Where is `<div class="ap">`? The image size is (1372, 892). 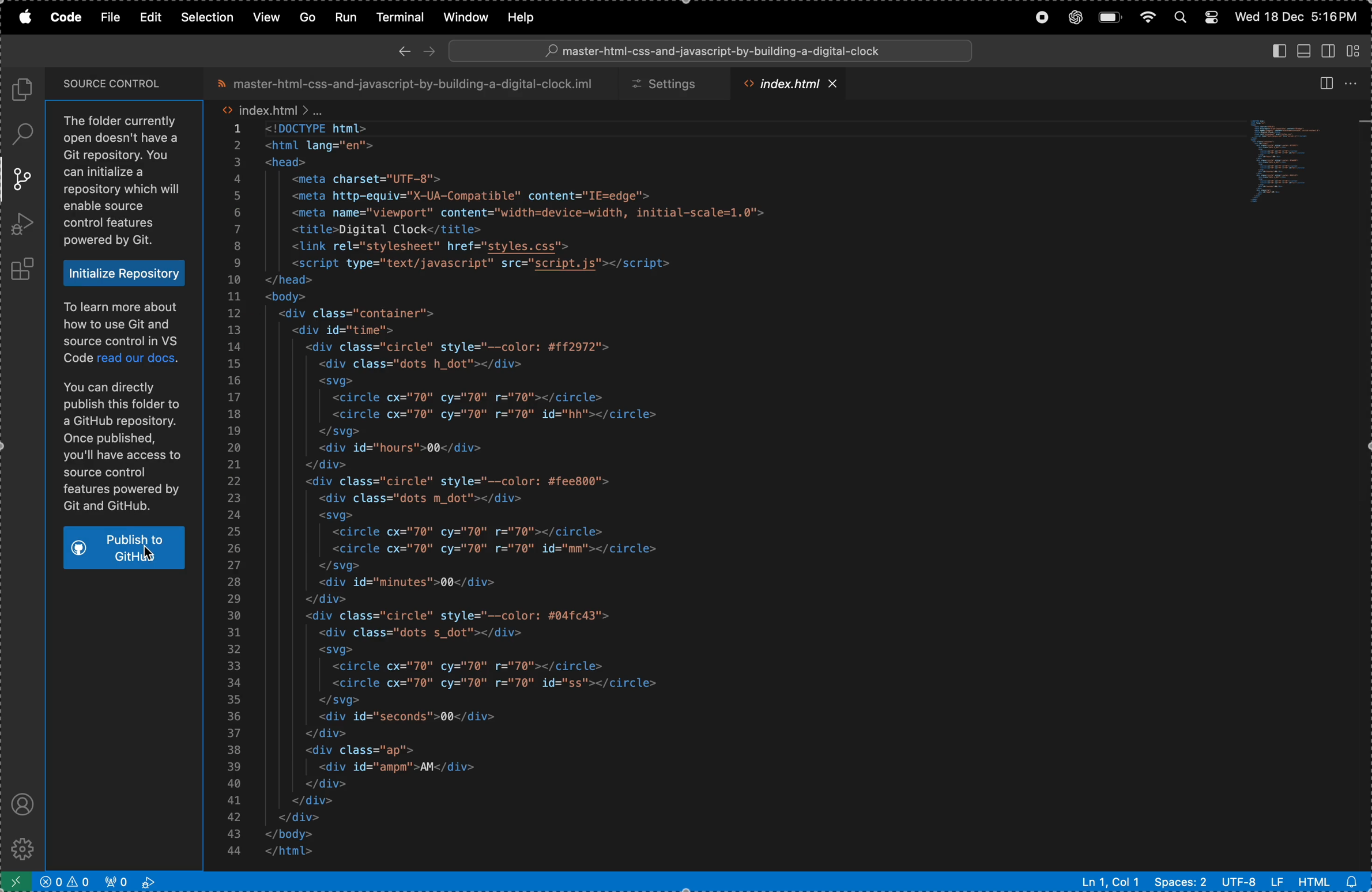
<div class="ap"> is located at coordinates (362, 752).